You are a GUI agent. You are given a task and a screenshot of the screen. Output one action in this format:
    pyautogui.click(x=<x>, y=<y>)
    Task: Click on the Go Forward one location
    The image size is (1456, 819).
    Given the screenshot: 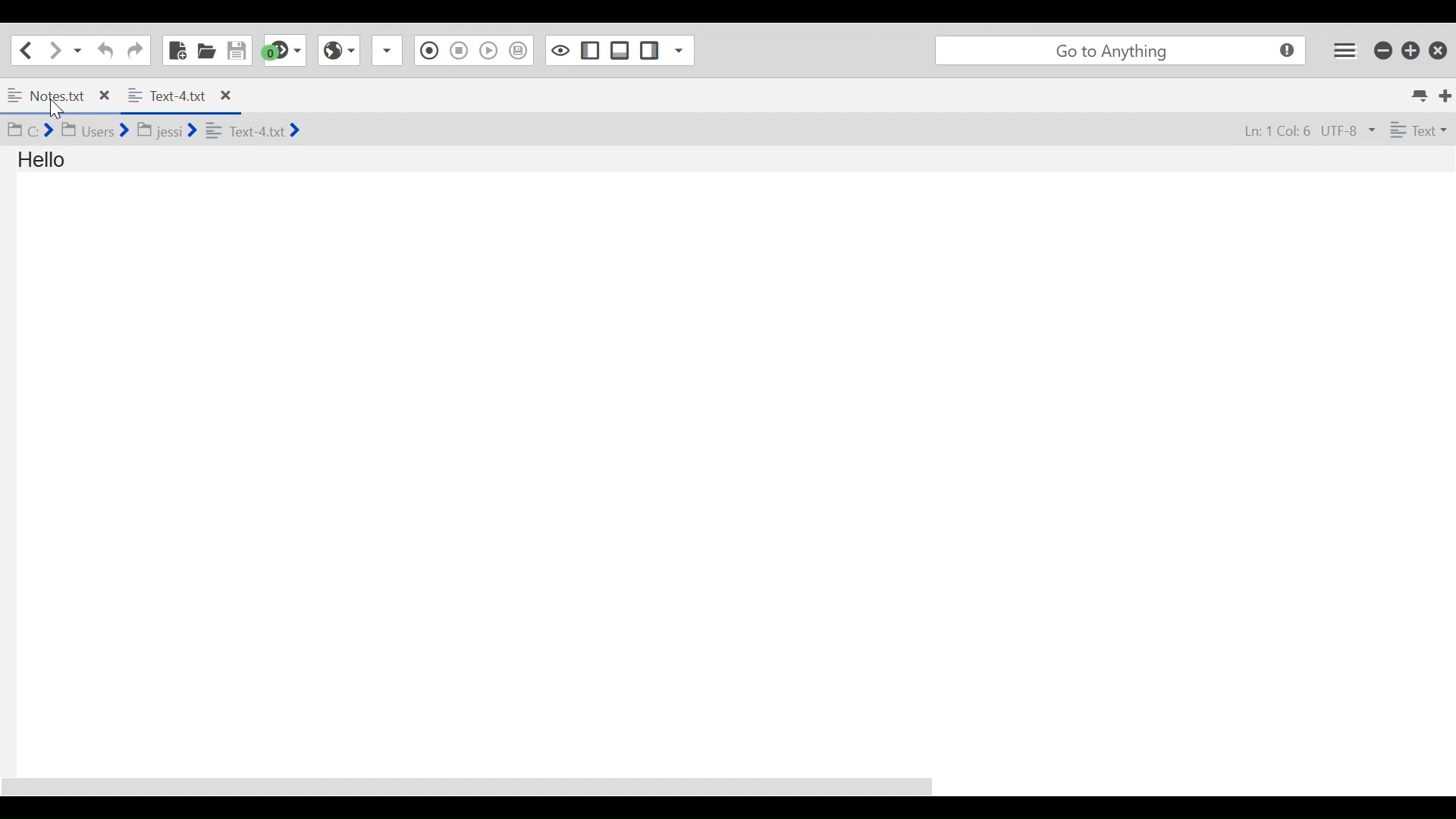 What is the action you would take?
    pyautogui.click(x=54, y=49)
    